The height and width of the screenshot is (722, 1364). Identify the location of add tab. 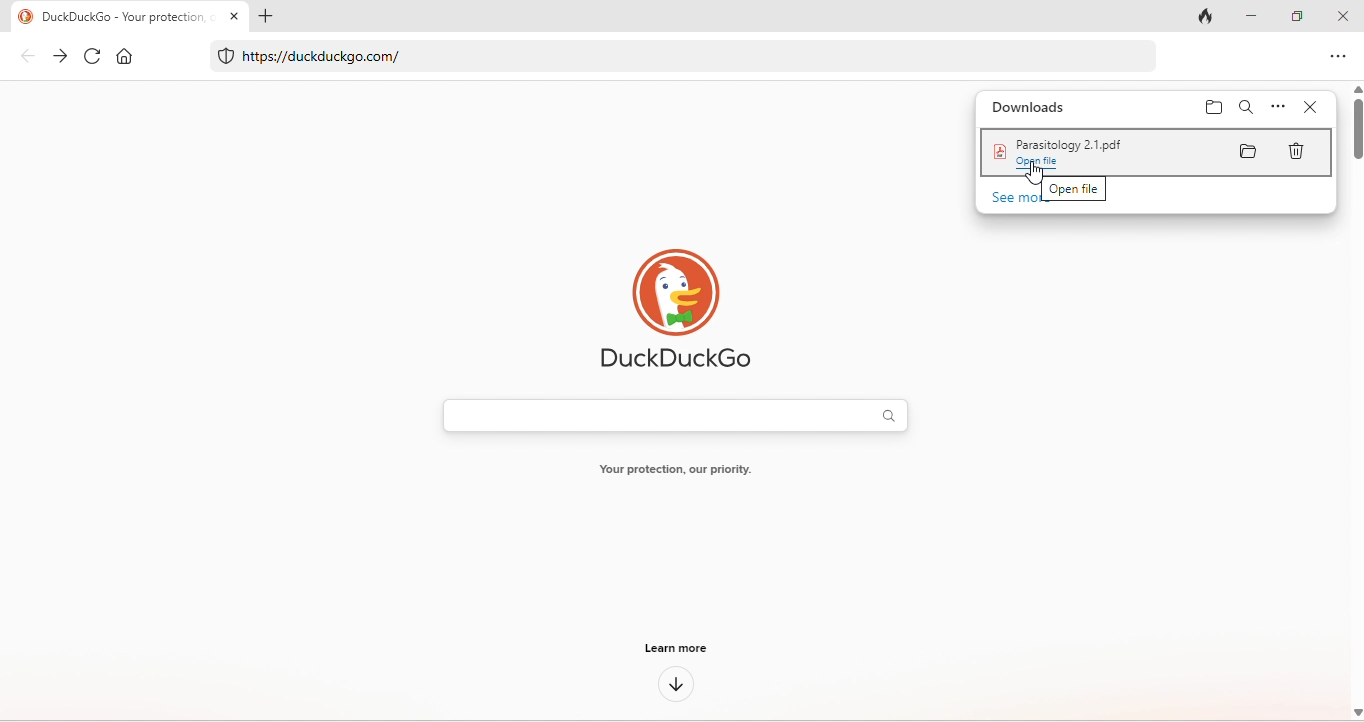
(266, 17).